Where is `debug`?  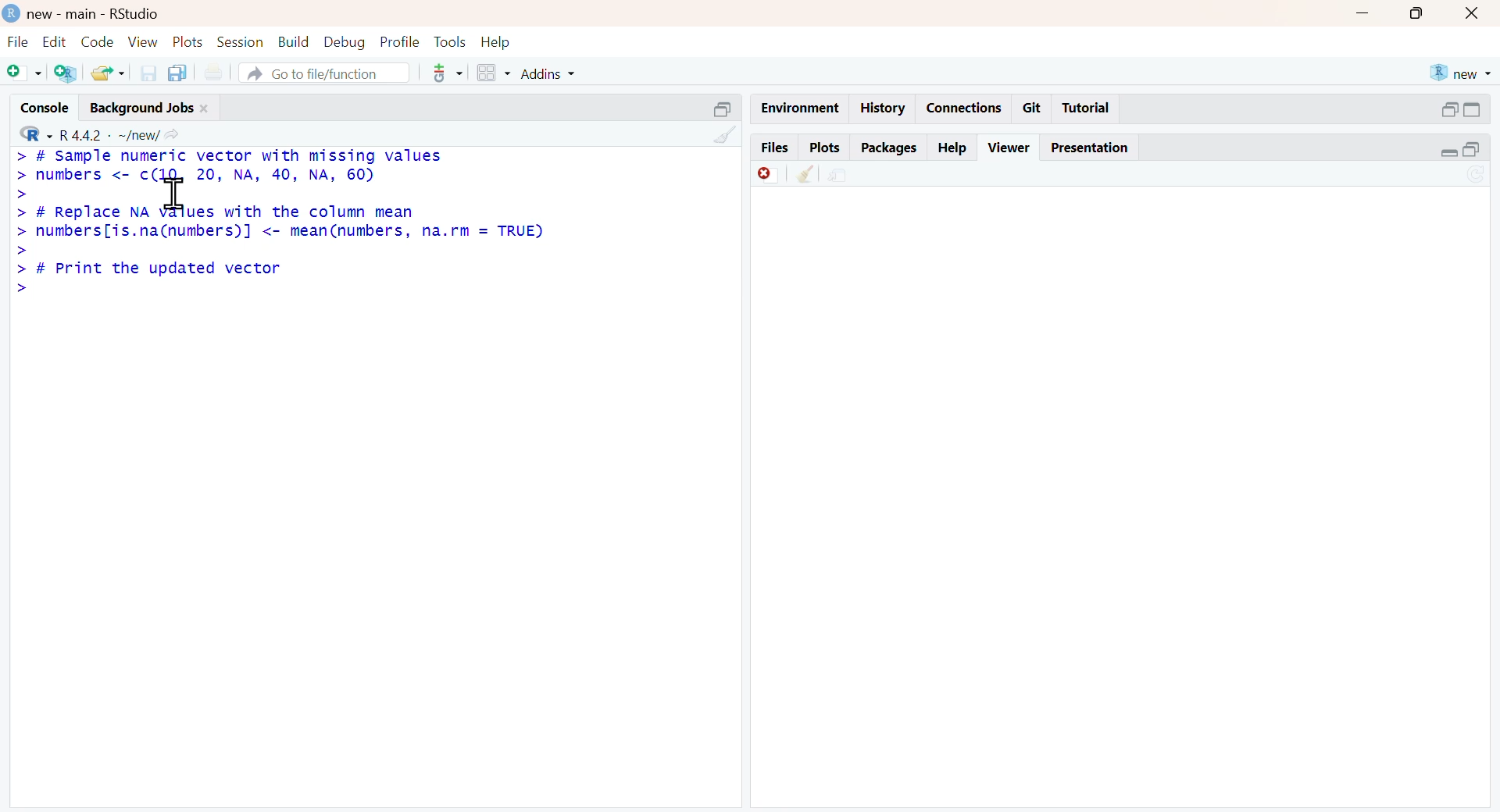 debug is located at coordinates (346, 44).